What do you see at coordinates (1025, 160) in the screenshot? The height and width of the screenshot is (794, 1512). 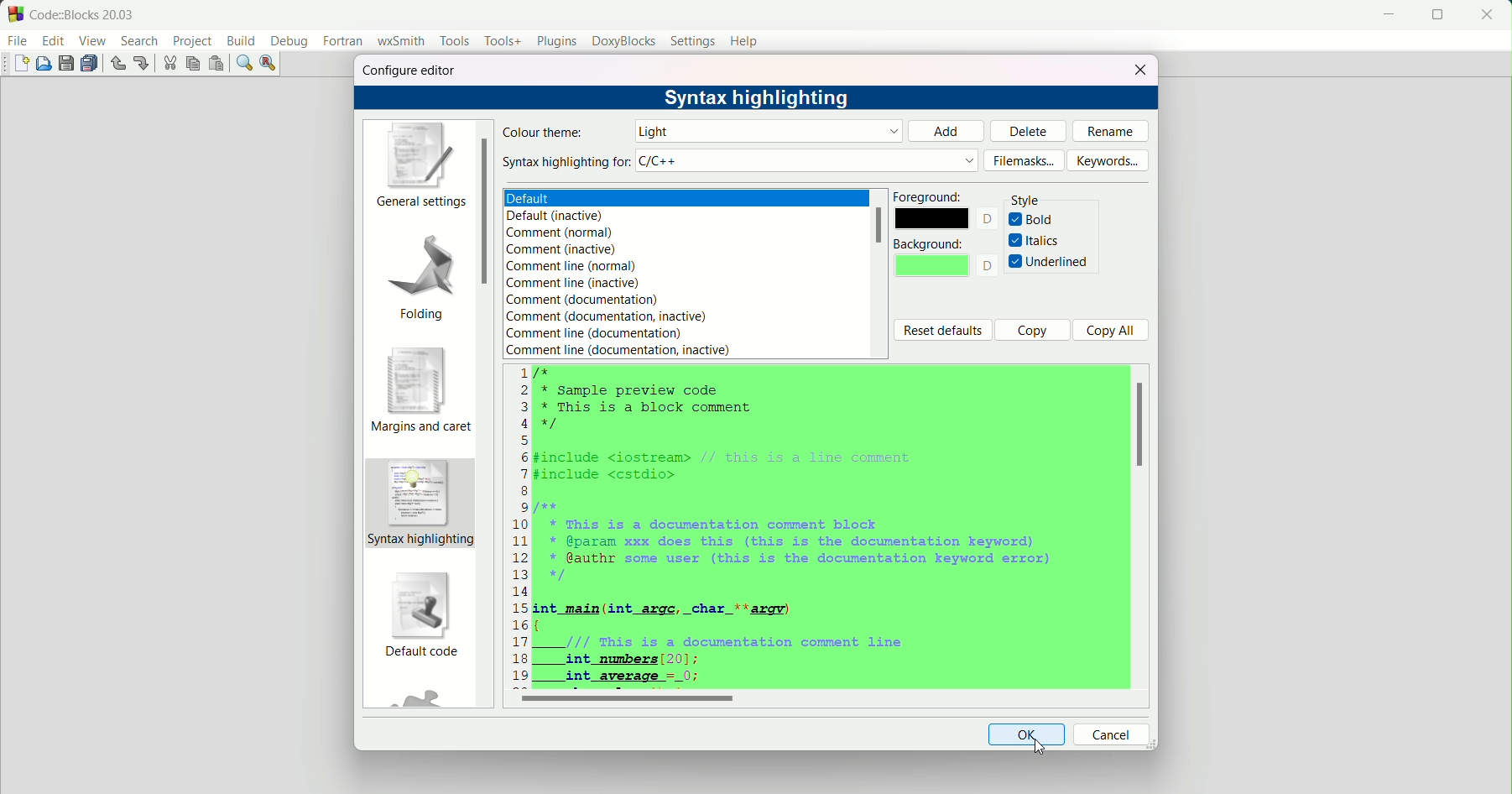 I see `filemasks` at bounding box center [1025, 160].